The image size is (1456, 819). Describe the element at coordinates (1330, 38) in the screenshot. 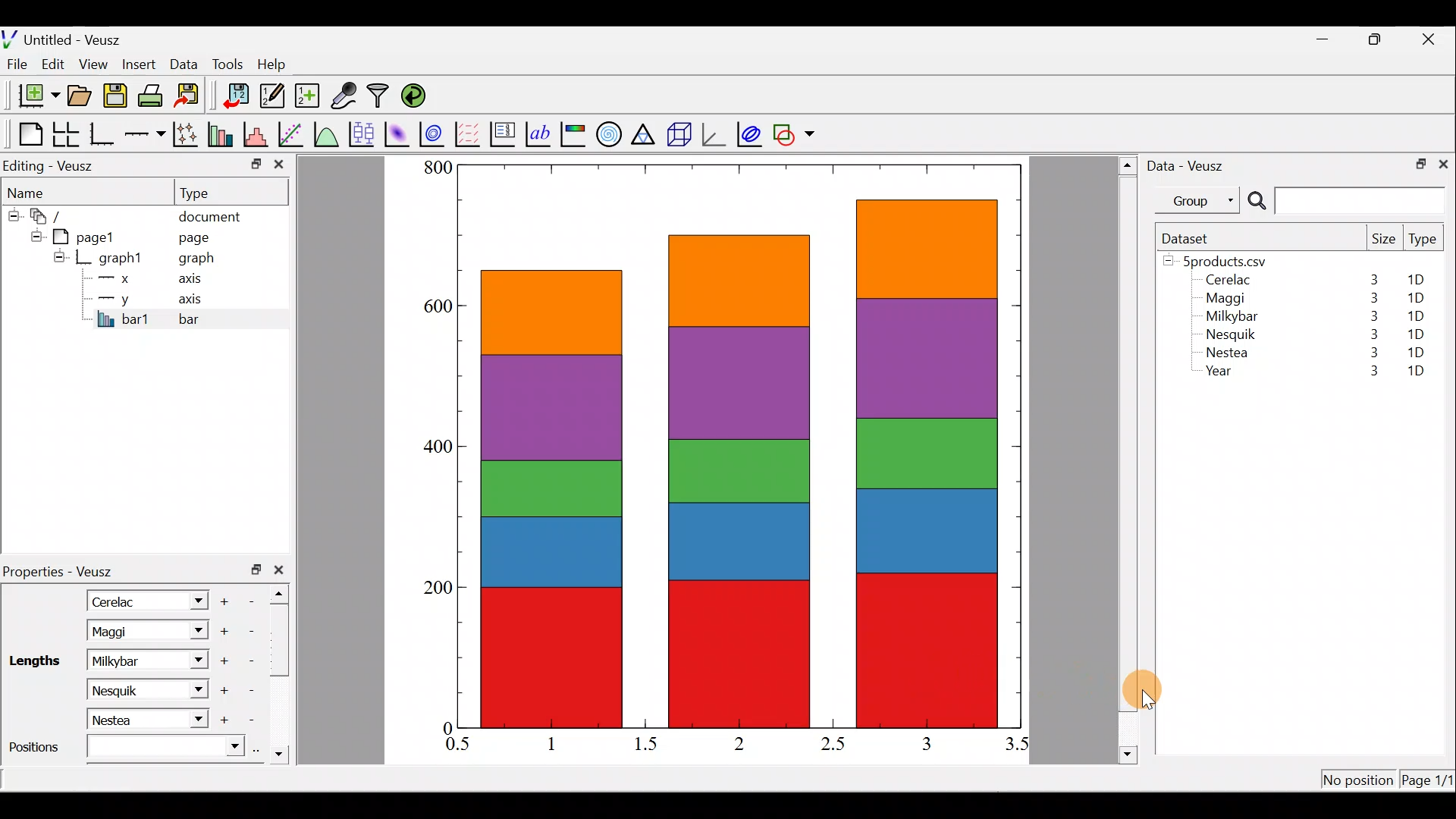

I see `minimize` at that location.